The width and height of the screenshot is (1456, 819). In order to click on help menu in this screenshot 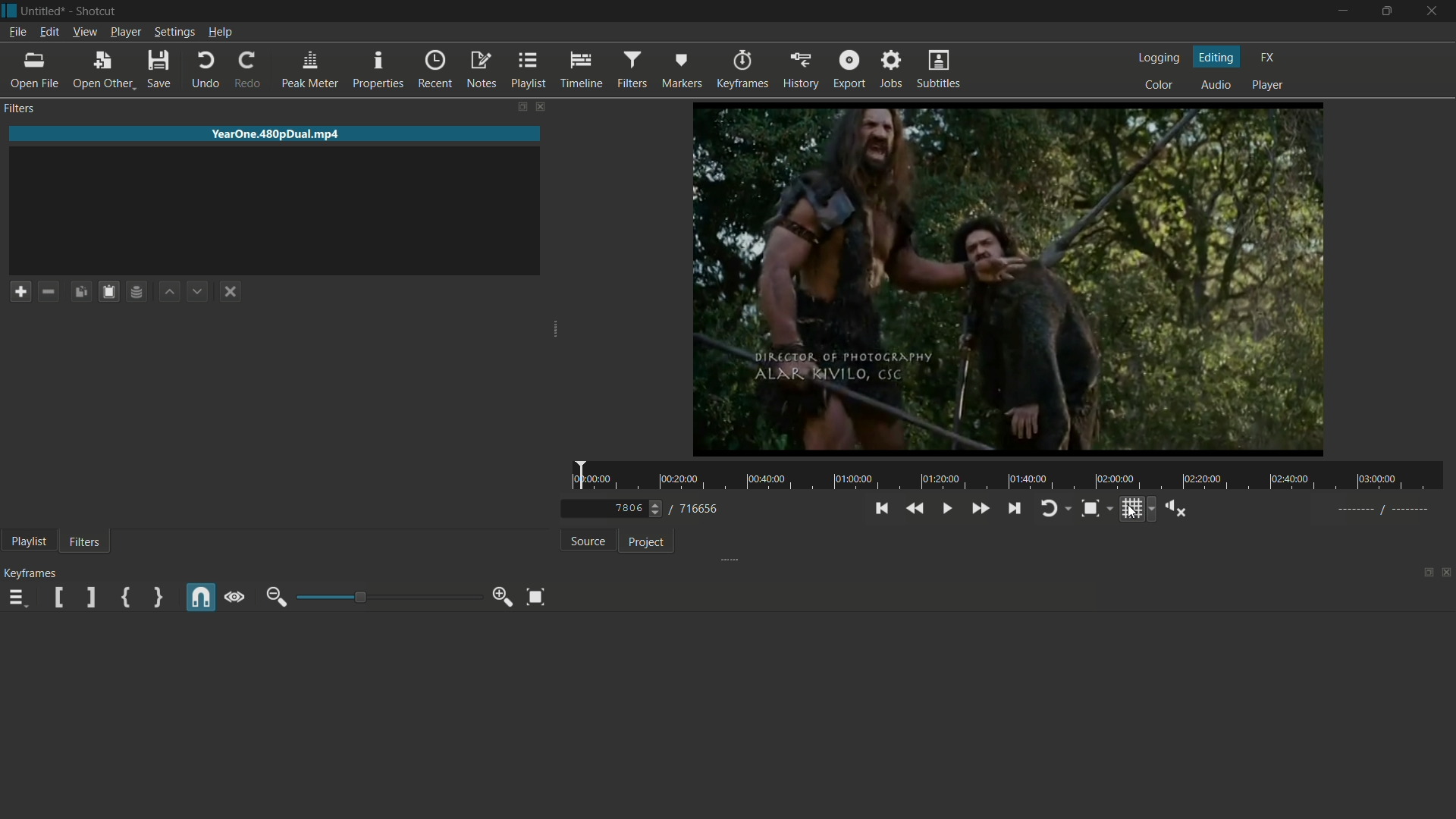, I will do `click(220, 32)`.